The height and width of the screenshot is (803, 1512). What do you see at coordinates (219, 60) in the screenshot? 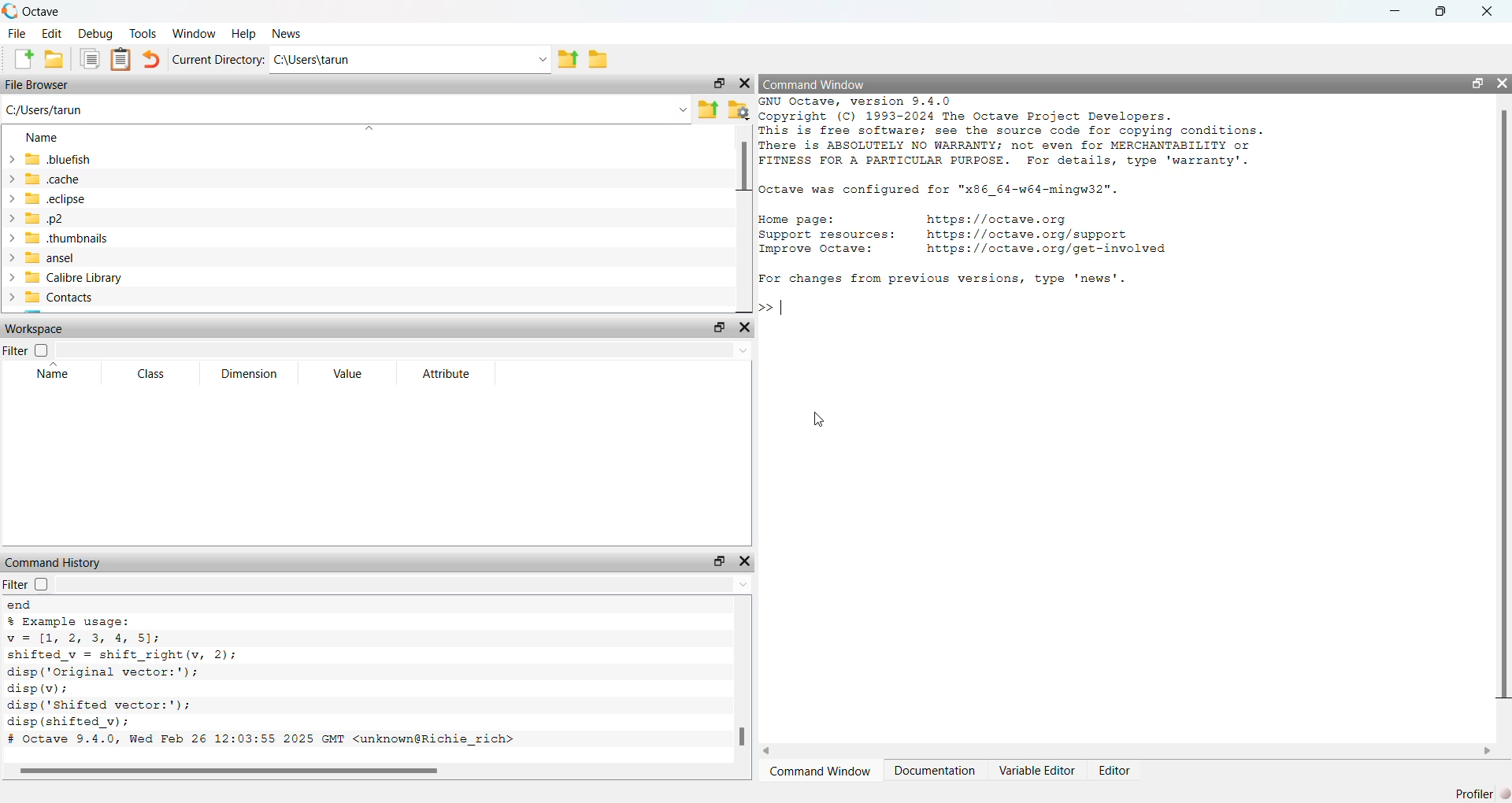
I see `current directory` at bounding box center [219, 60].